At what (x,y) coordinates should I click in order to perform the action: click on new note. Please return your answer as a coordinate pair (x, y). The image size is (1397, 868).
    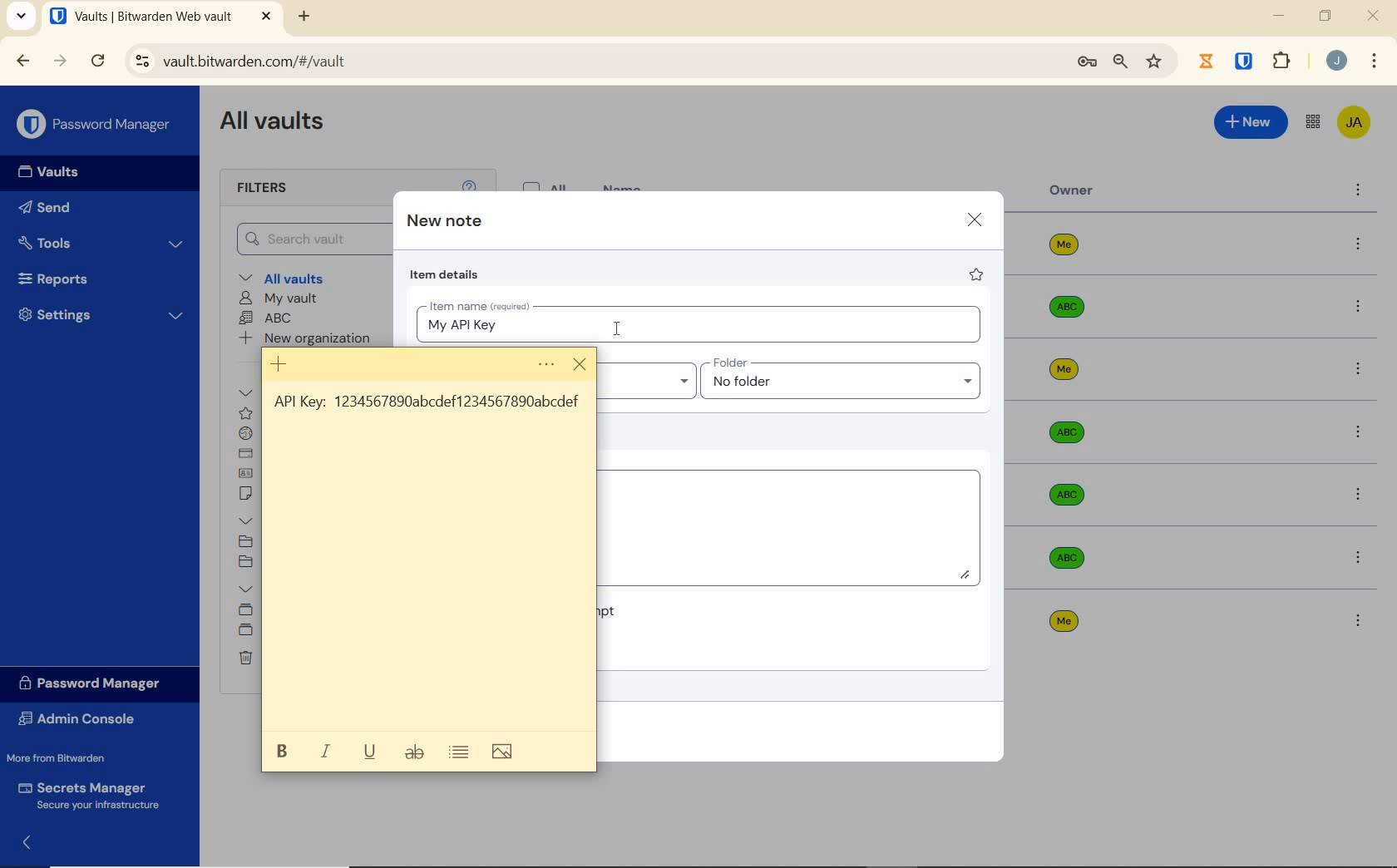
    Looking at the image, I should click on (444, 222).